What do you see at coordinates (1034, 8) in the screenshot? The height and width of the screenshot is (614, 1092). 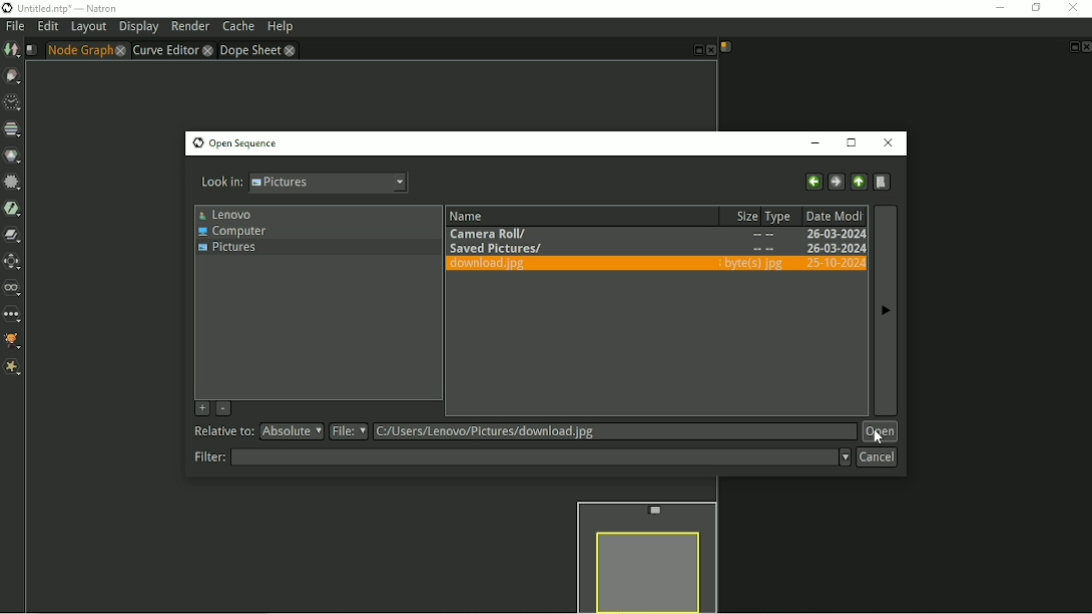 I see `Restore down` at bounding box center [1034, 8].